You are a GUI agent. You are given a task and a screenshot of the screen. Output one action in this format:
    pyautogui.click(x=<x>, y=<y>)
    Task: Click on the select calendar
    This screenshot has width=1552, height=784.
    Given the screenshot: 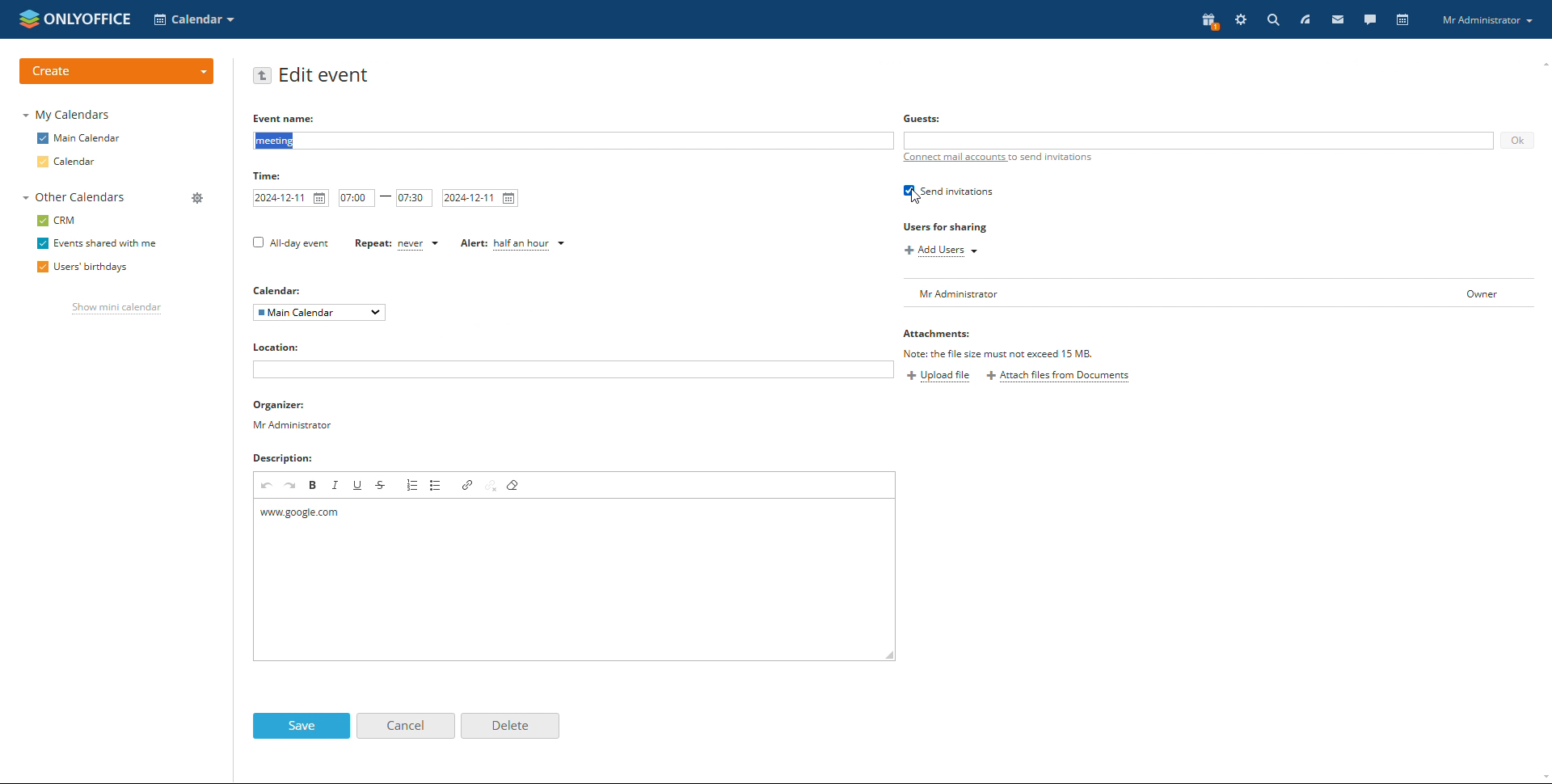 What is the action you would take?
    pyautogui.click(x=318, y=313)
    